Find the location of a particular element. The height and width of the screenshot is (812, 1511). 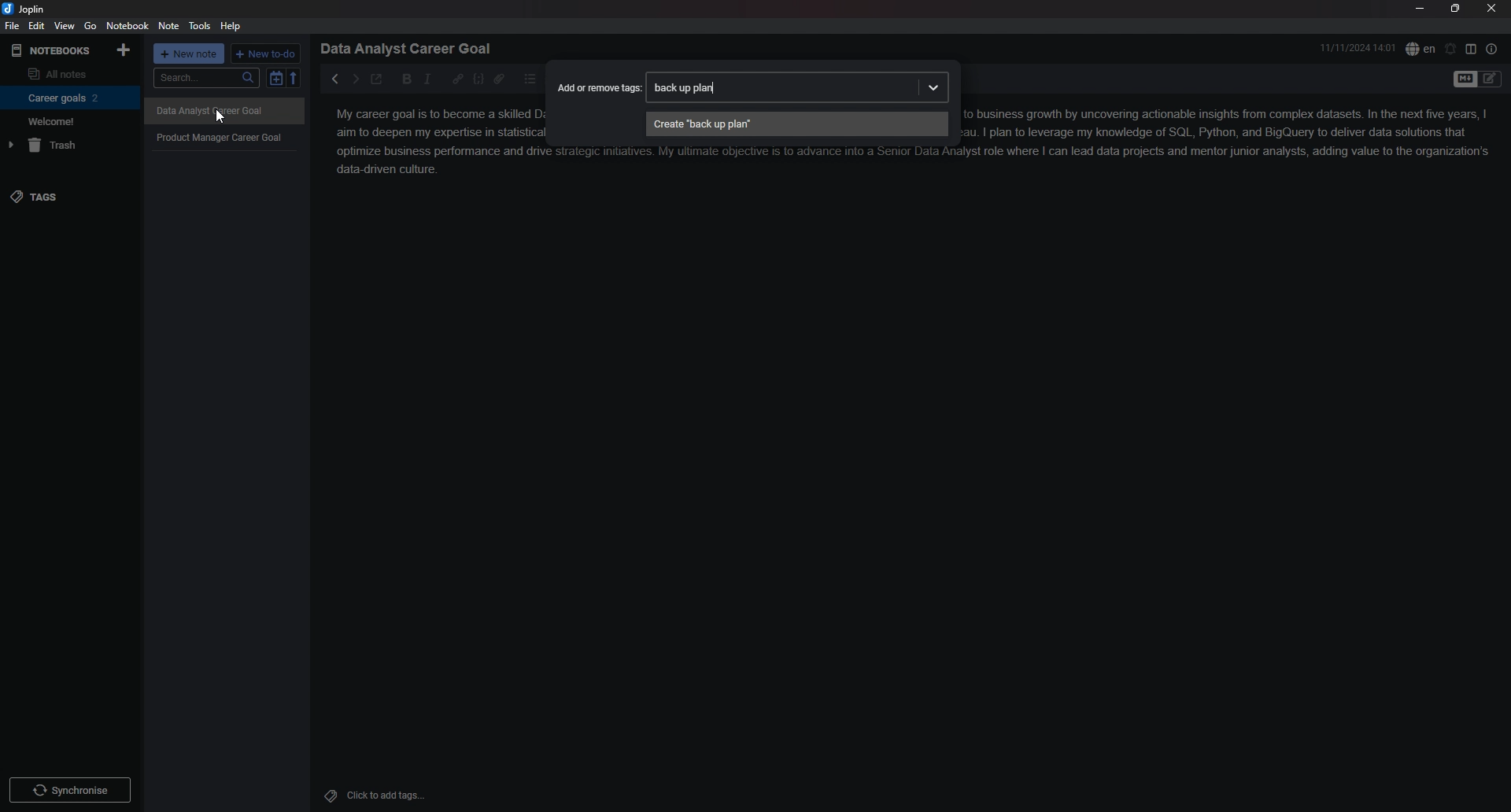

resize is located at coordinates (1456, 8).